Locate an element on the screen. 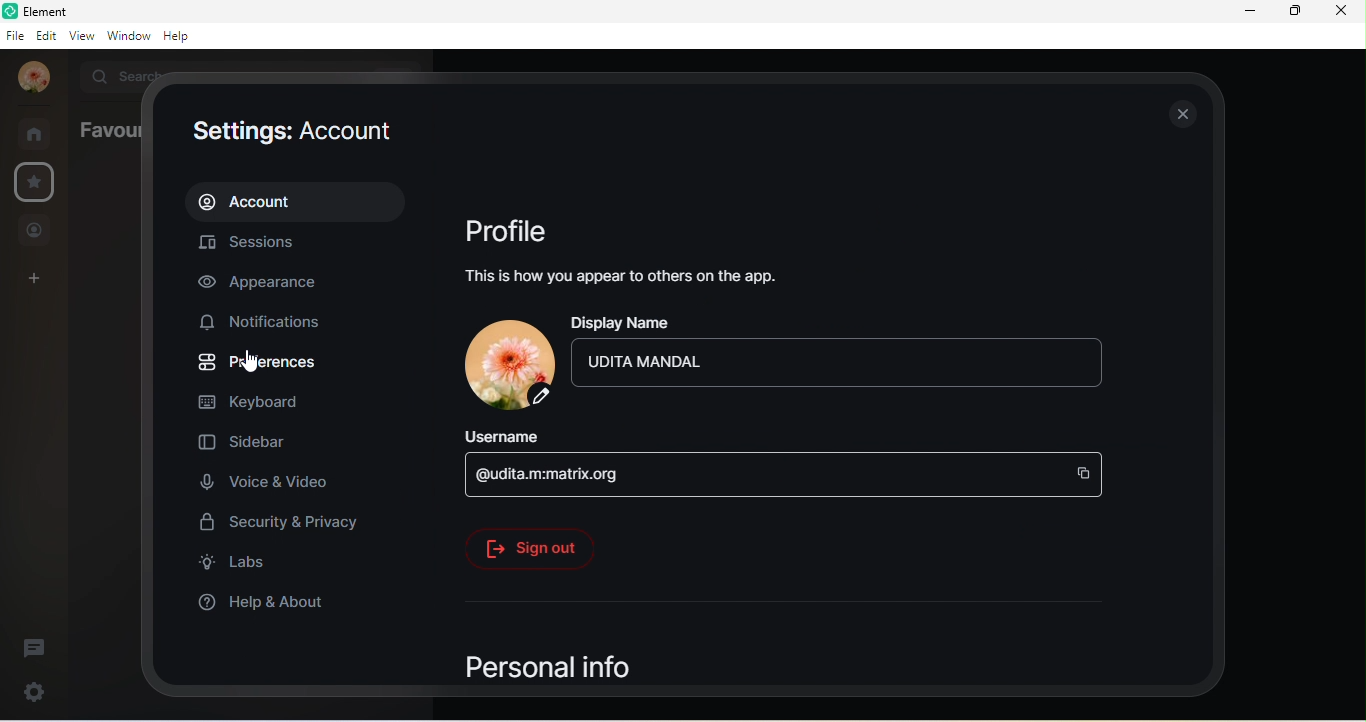 The width and height of the screenshot is (1366, 722). title is located at coordinates (48, 11).